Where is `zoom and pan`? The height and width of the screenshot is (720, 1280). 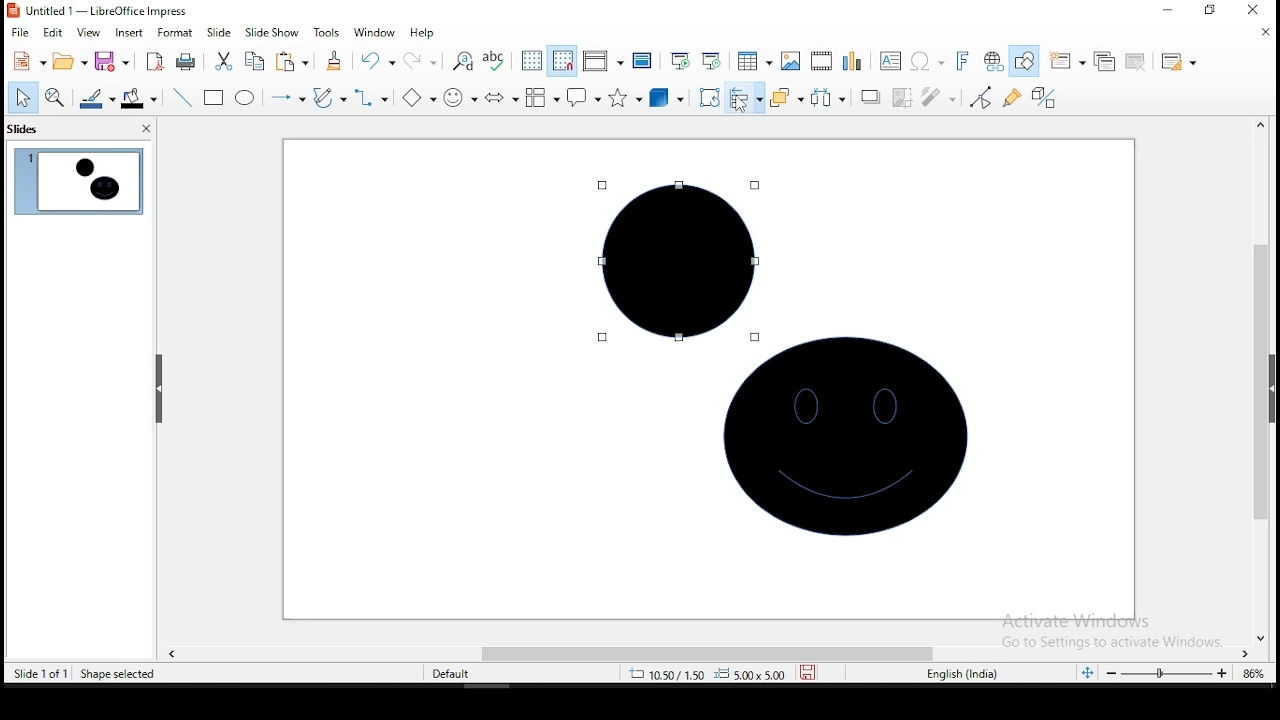
zoom and pan is located at coordinates (55, 100).